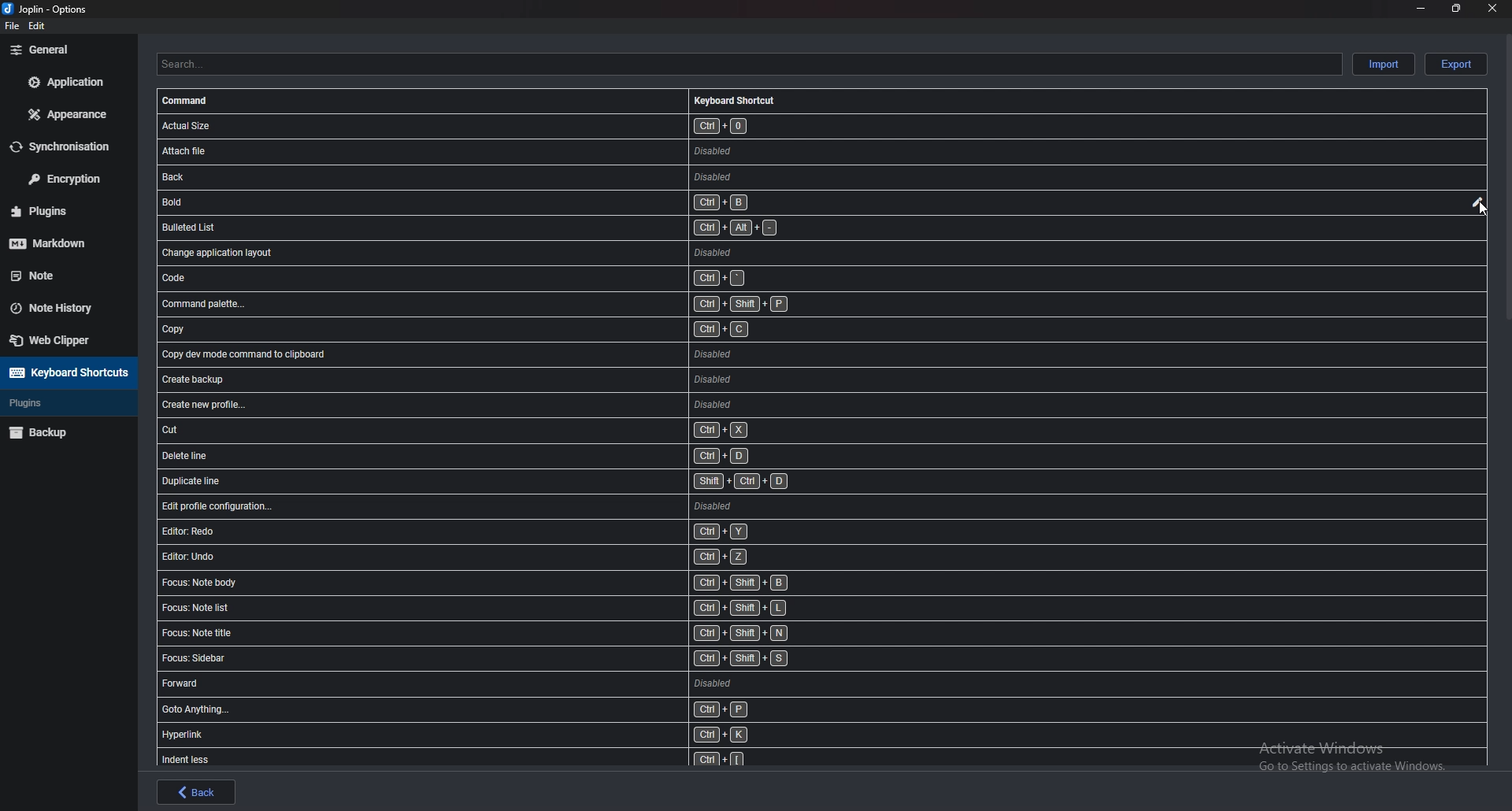  I want to click on Plugins, so click(57, 211).